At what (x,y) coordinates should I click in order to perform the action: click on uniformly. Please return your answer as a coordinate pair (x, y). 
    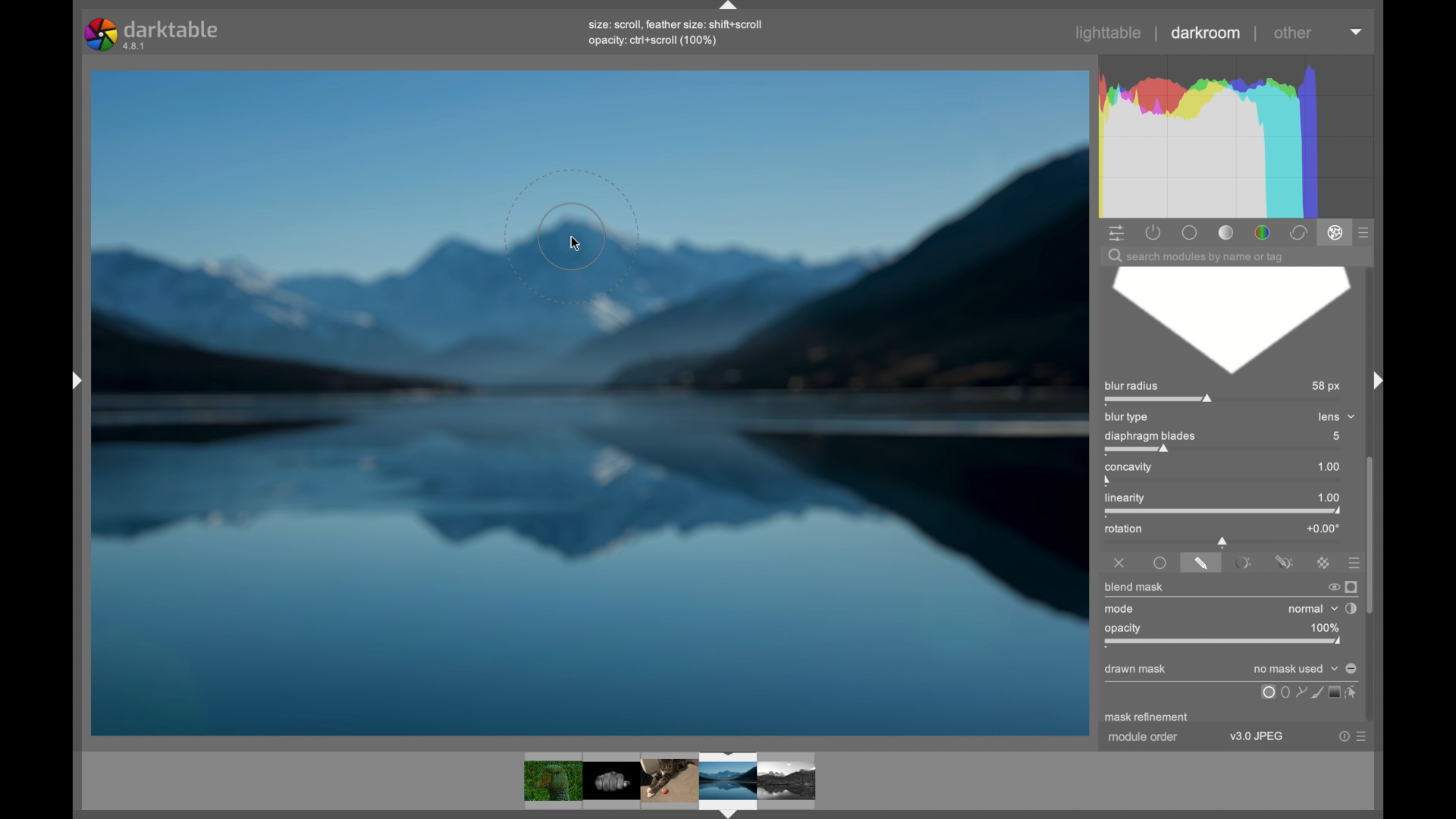
    Looking at the image, I should click on (1161, 563).